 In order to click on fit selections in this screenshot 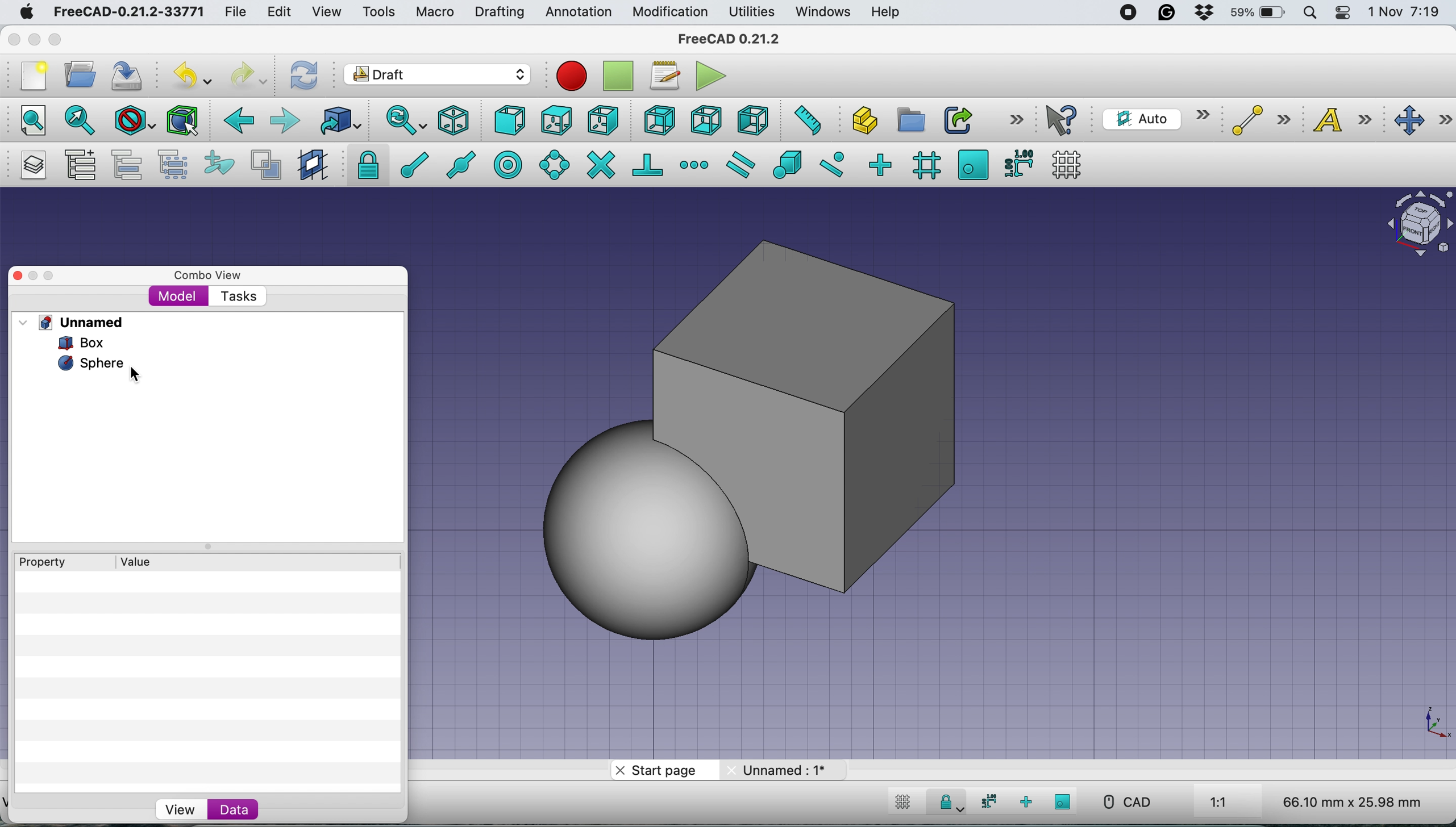, I will do `click(83, 119)`.